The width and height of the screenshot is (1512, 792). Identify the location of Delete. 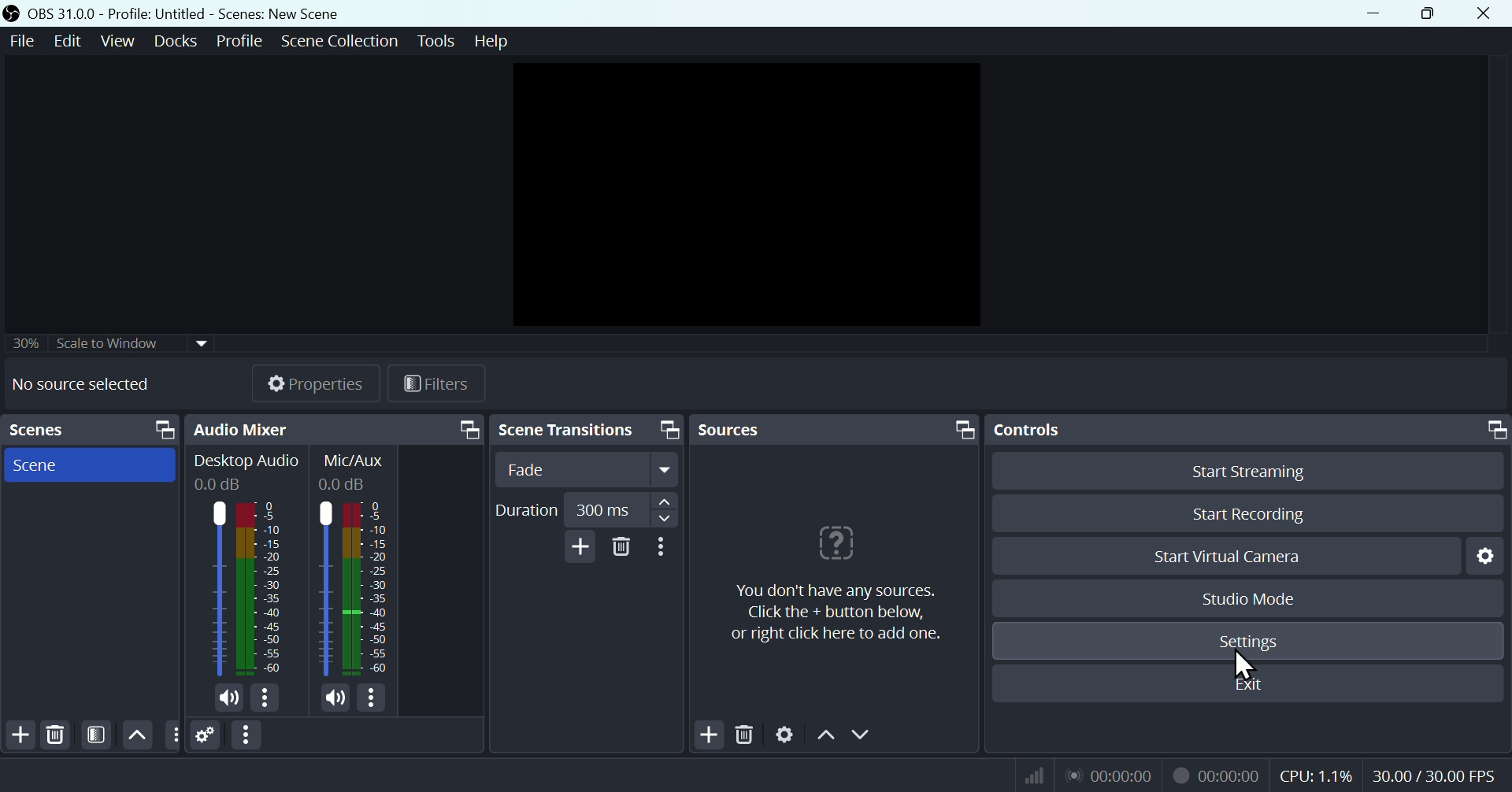
(57, 734).